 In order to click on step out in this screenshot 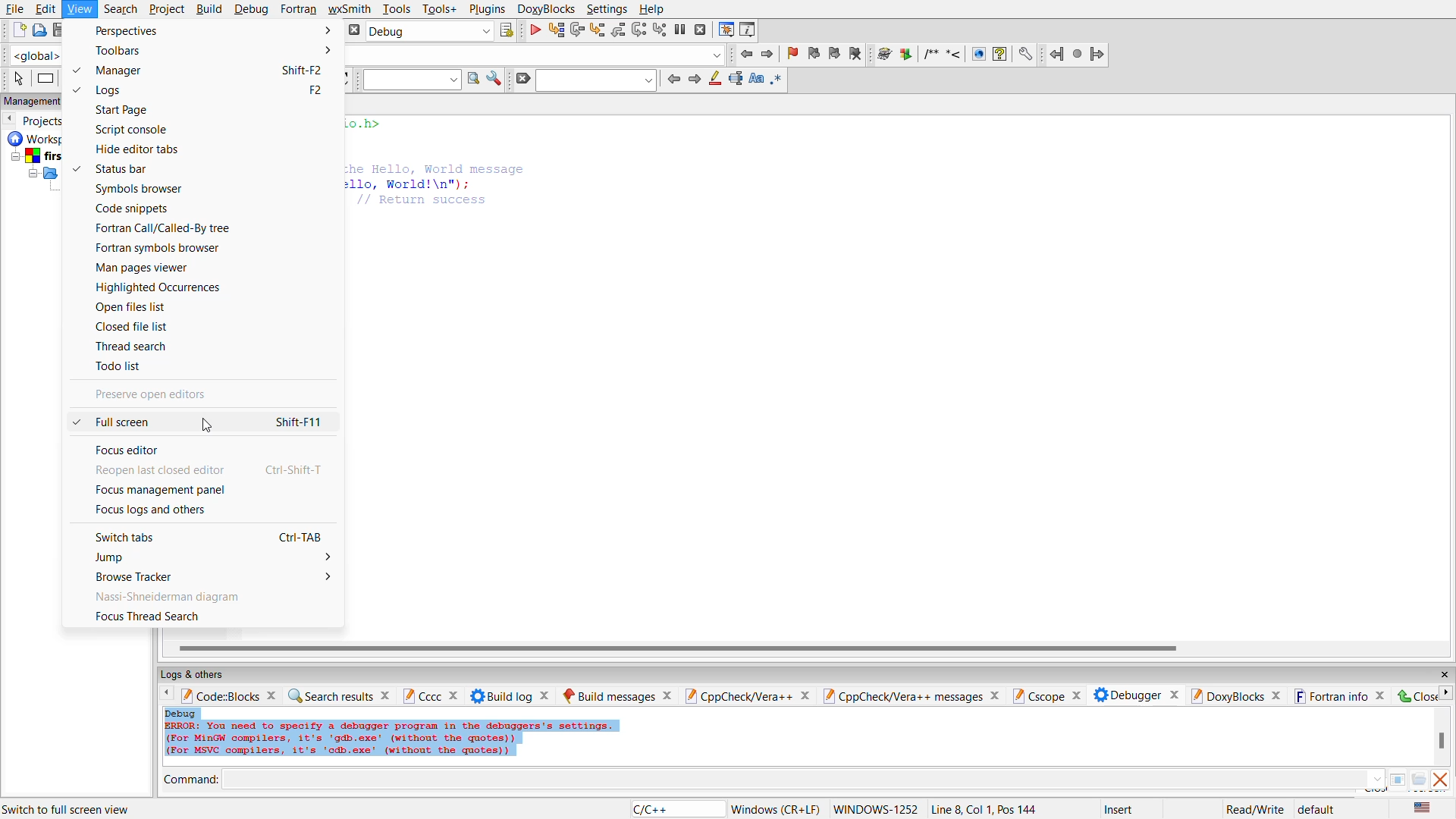, I will do `click(617, 30)`.